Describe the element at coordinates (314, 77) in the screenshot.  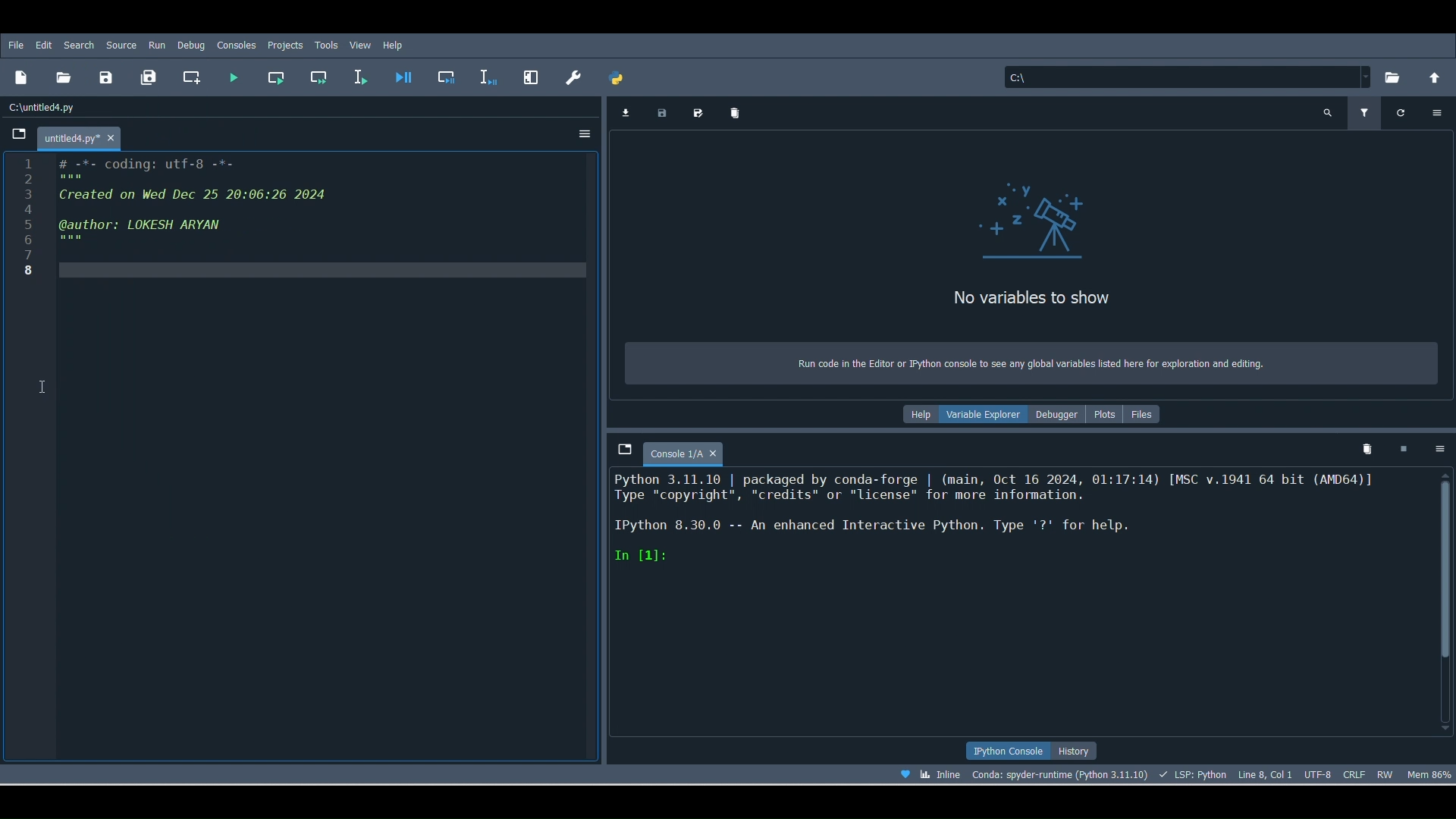
I see `Run current cell and go to the next one (Shift + Return)` at that location.